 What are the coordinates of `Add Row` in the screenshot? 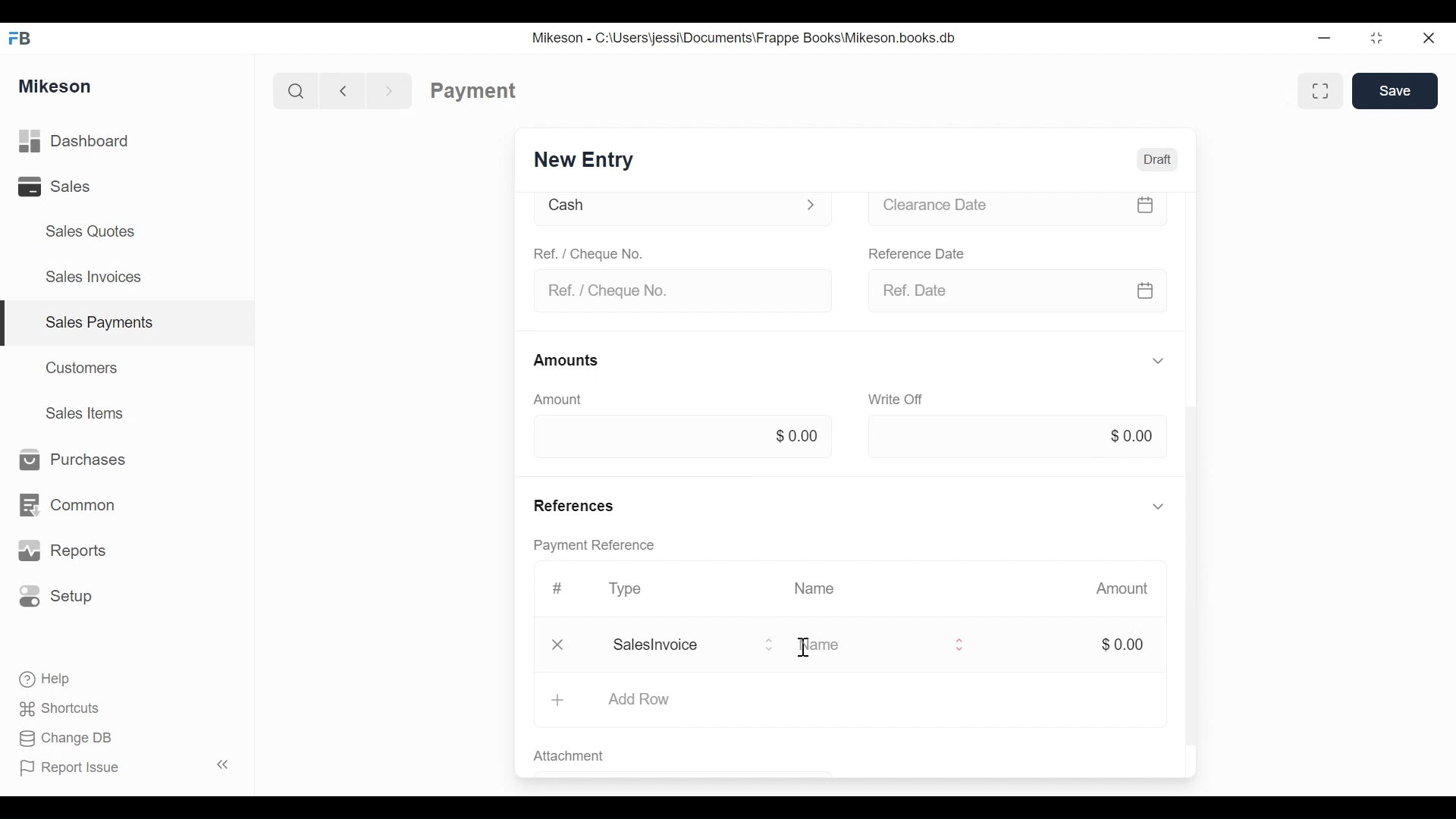 It's located at (637, 701).